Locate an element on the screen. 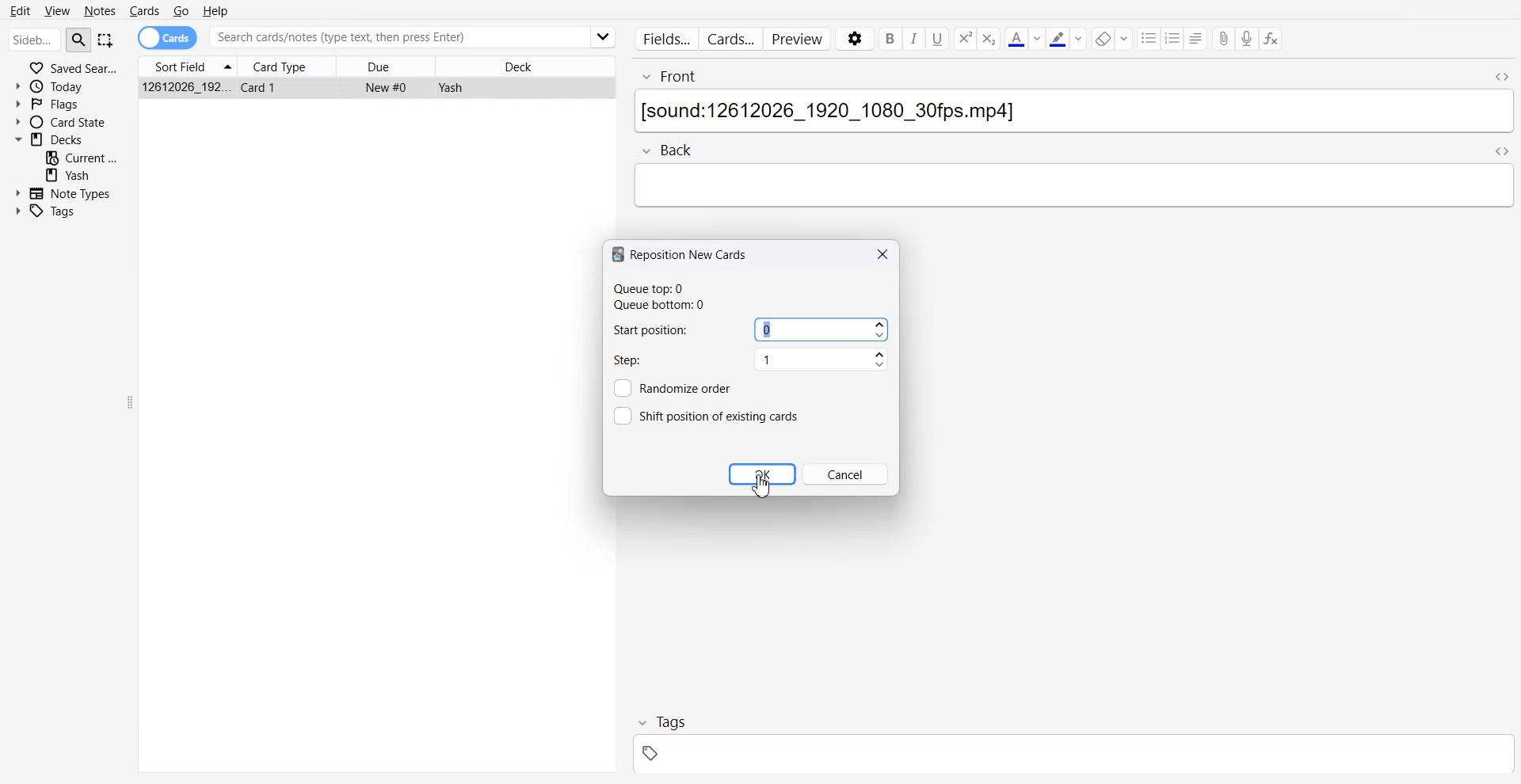   is located at coordinates (625, 416).